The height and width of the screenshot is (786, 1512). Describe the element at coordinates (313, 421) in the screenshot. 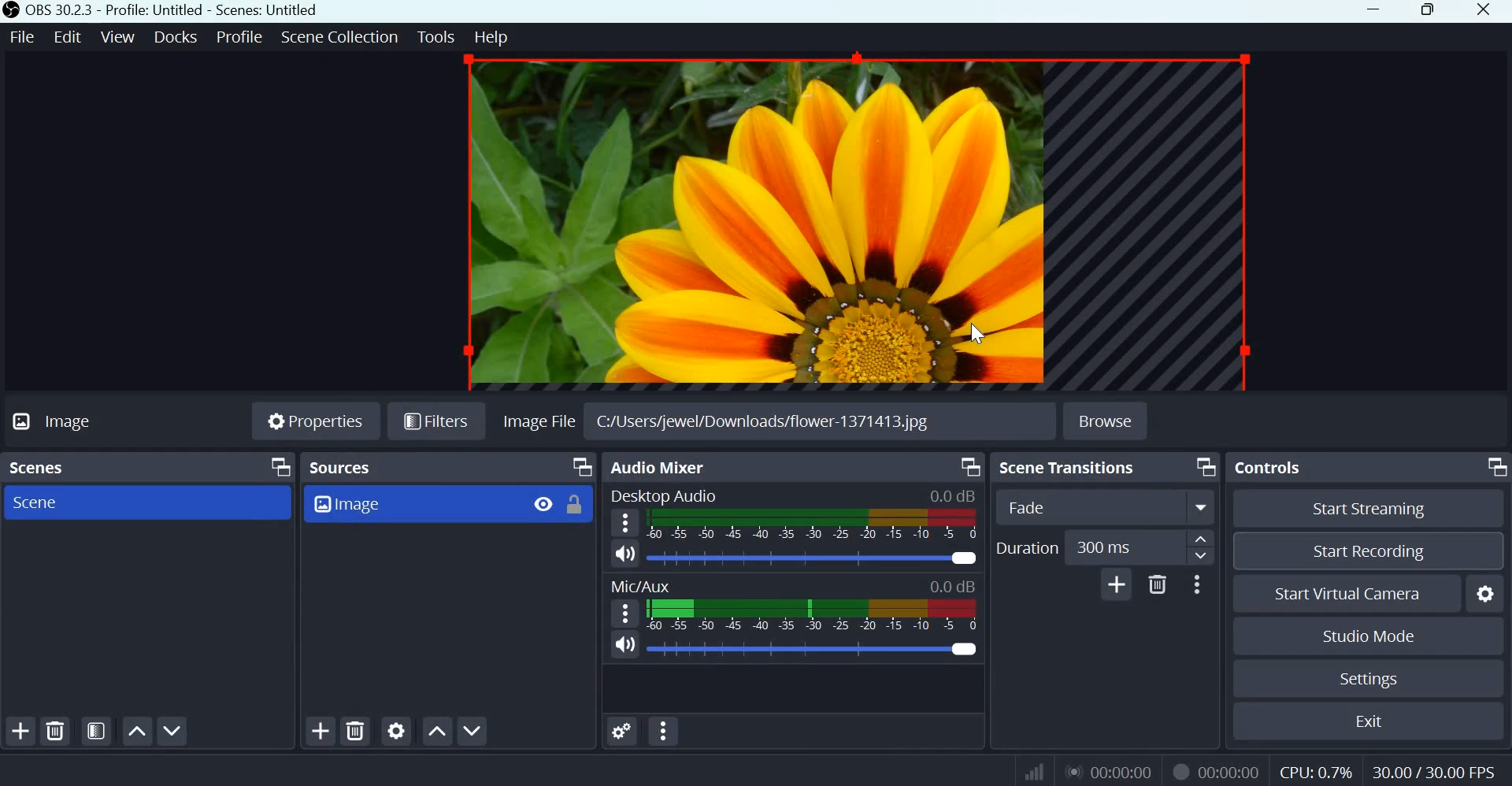

I see `Properties` at that location.